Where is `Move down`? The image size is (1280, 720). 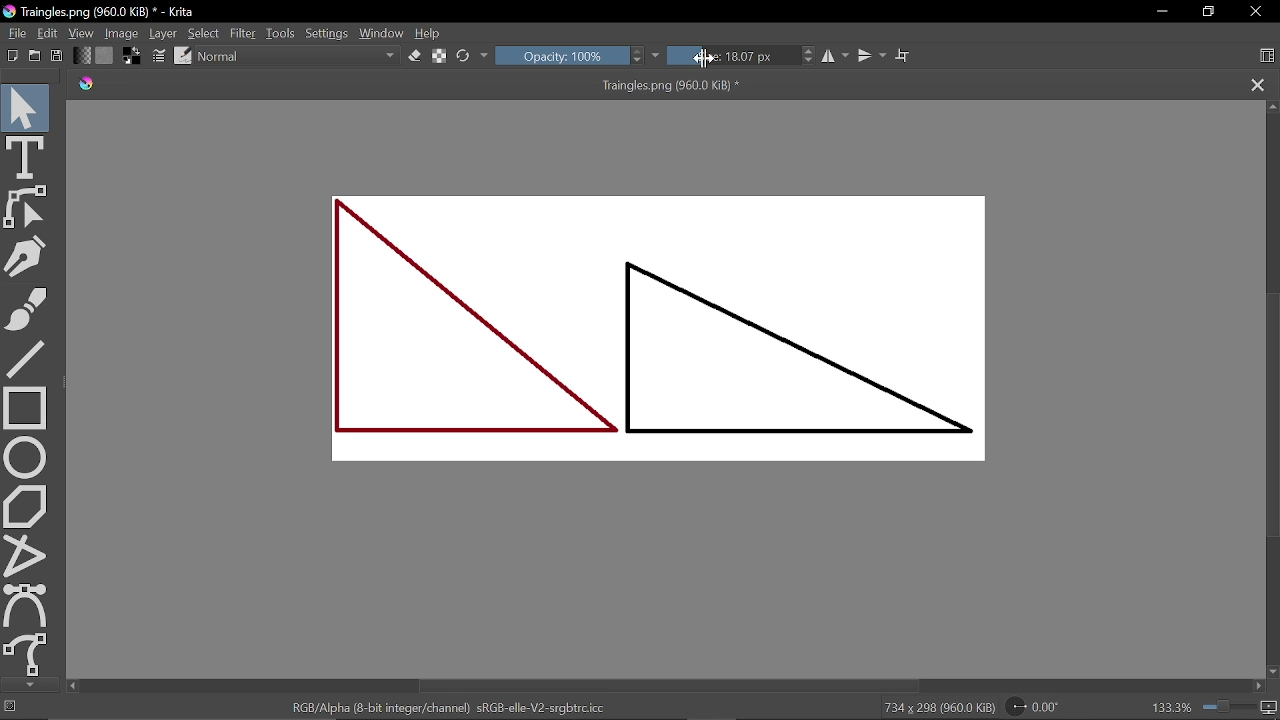
Move down is located at coordinates (1272, 671).